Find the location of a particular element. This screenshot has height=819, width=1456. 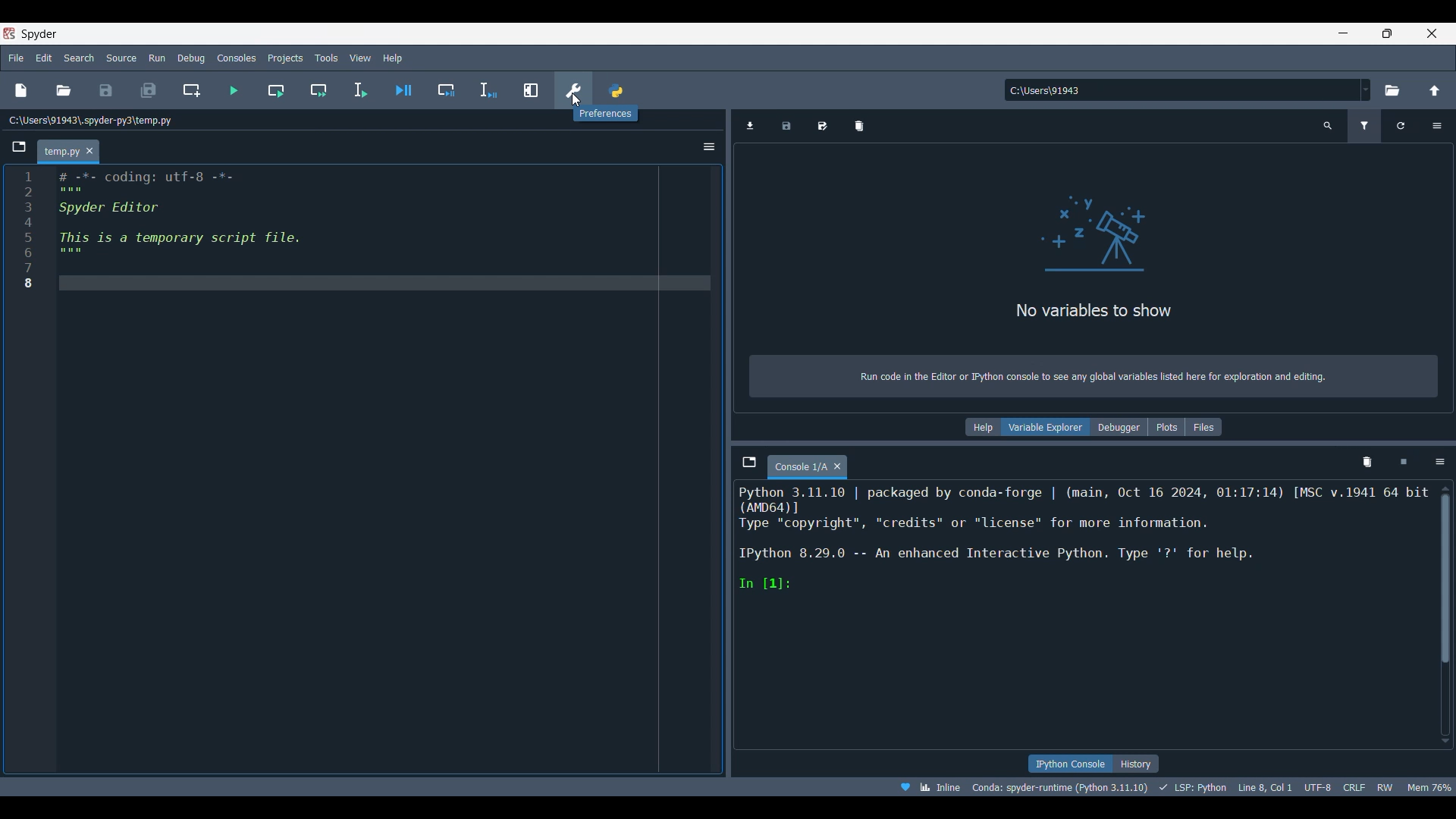

File path is located at coordinates (91, 120).